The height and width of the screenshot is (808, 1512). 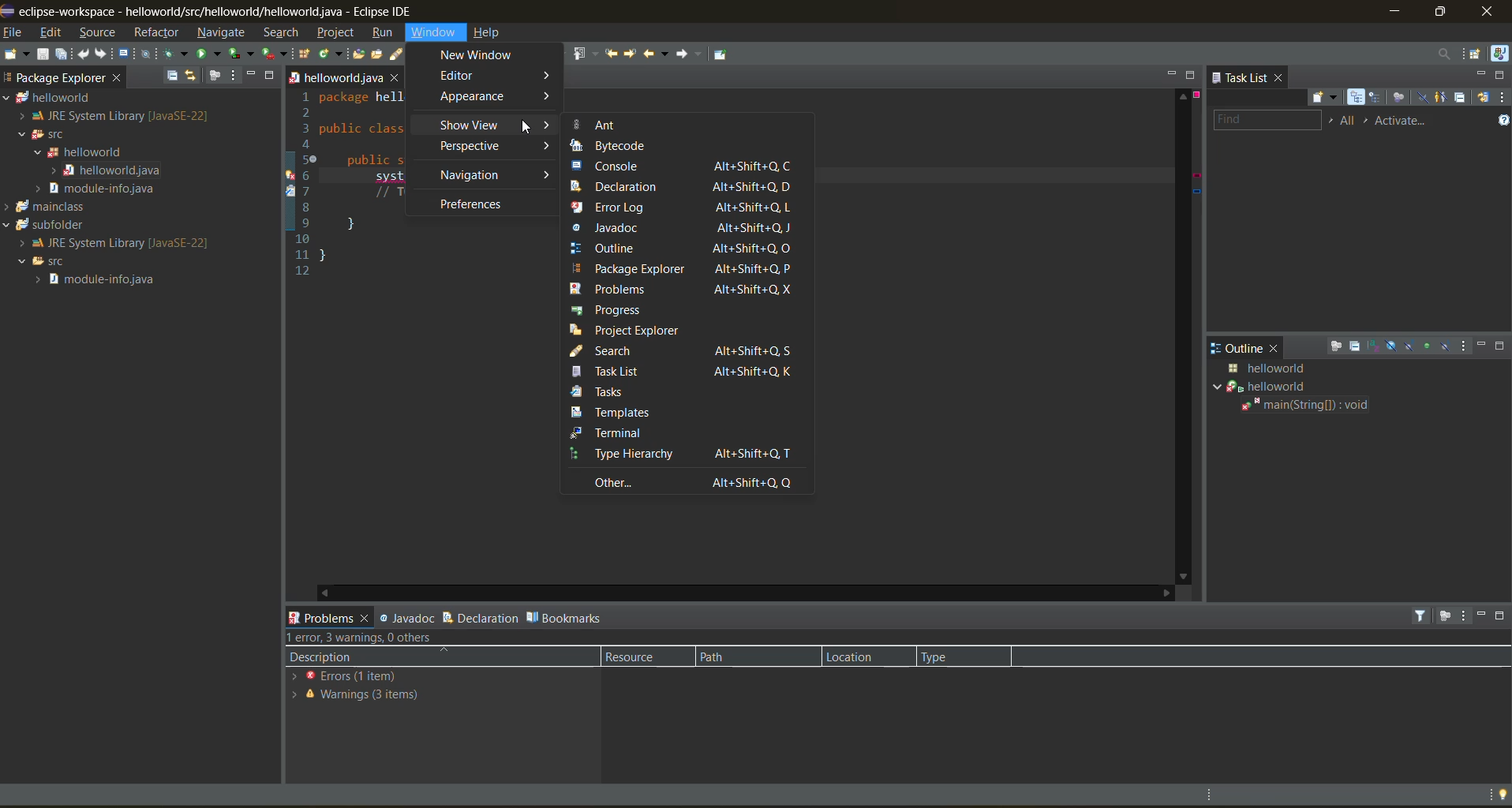 What do you see at coordinates (1465, 615) in the screenshot?
I see `view menu` at bounding box center [1465, 615].